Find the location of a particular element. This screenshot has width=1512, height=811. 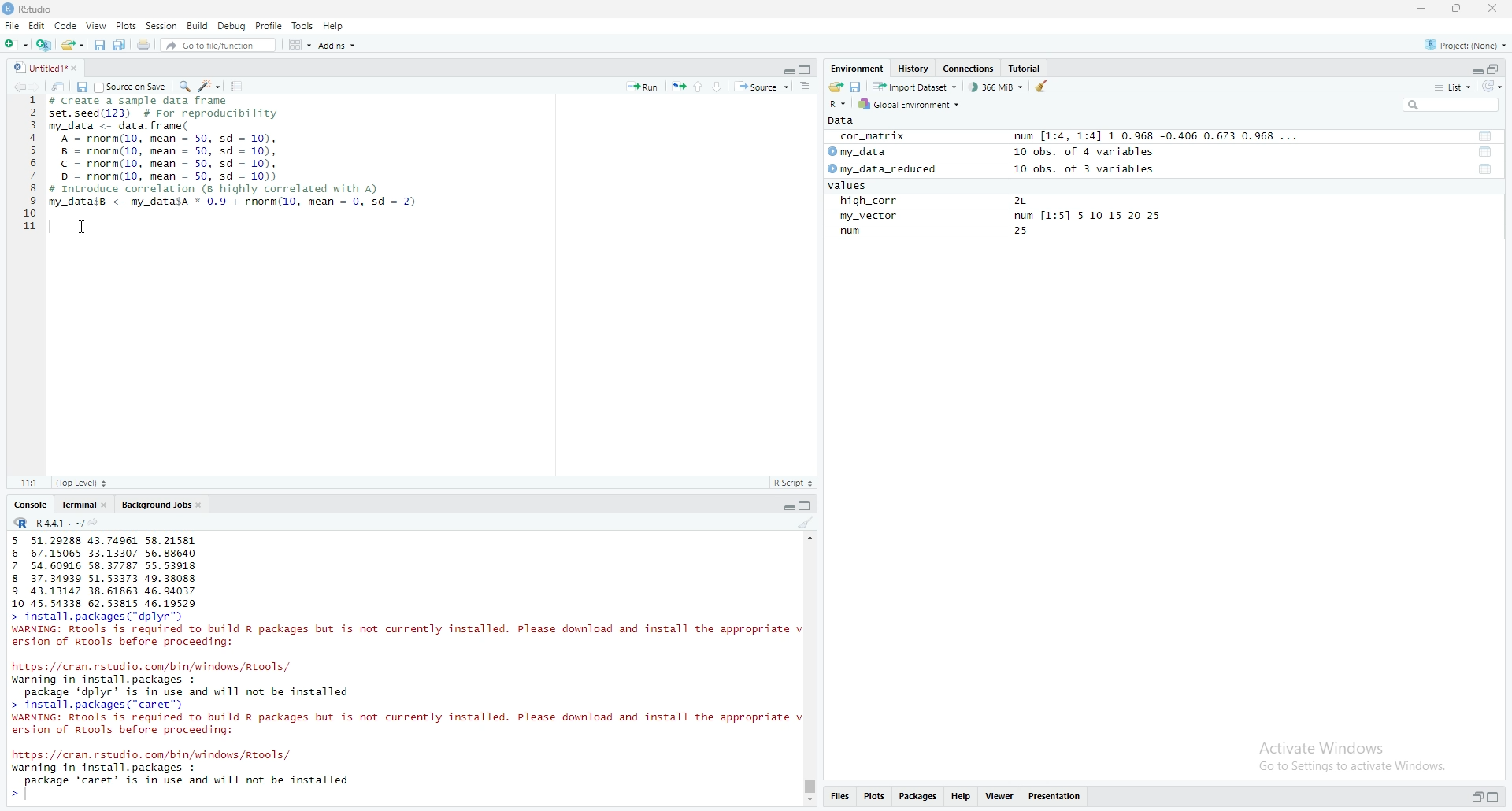

close is located at coordinates (201, 505).